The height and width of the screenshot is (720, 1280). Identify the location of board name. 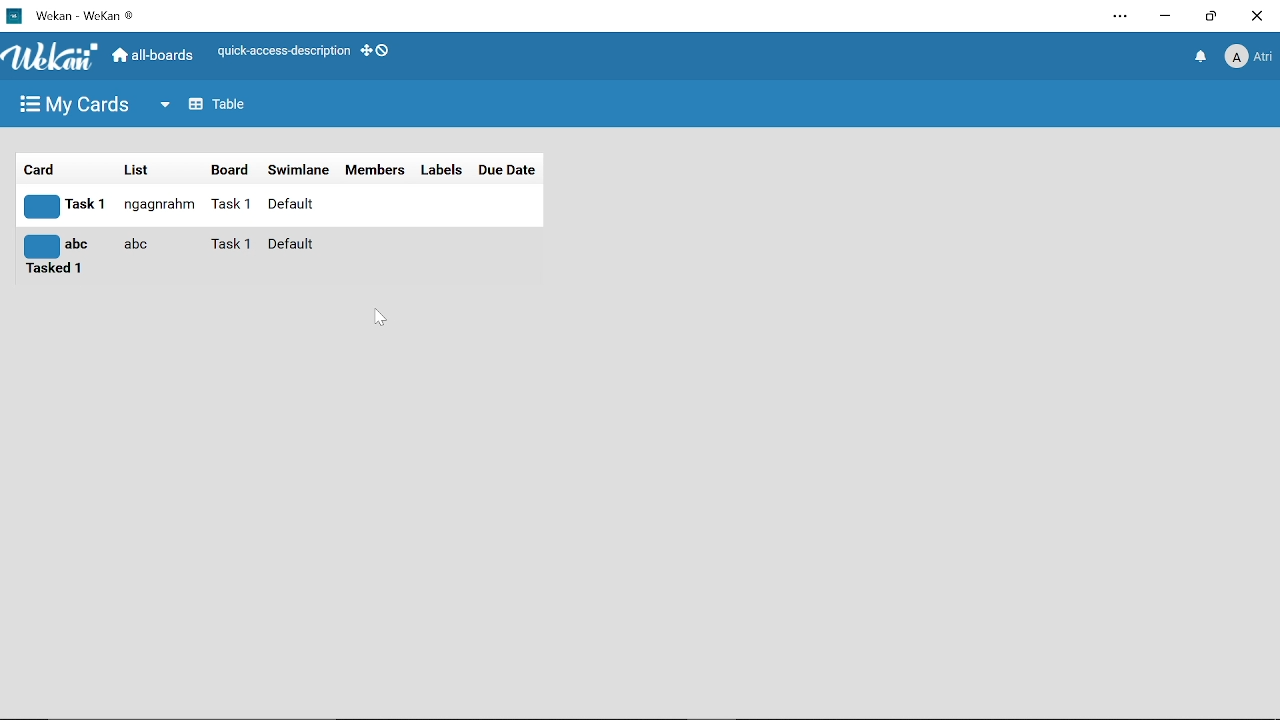
(229, 203).